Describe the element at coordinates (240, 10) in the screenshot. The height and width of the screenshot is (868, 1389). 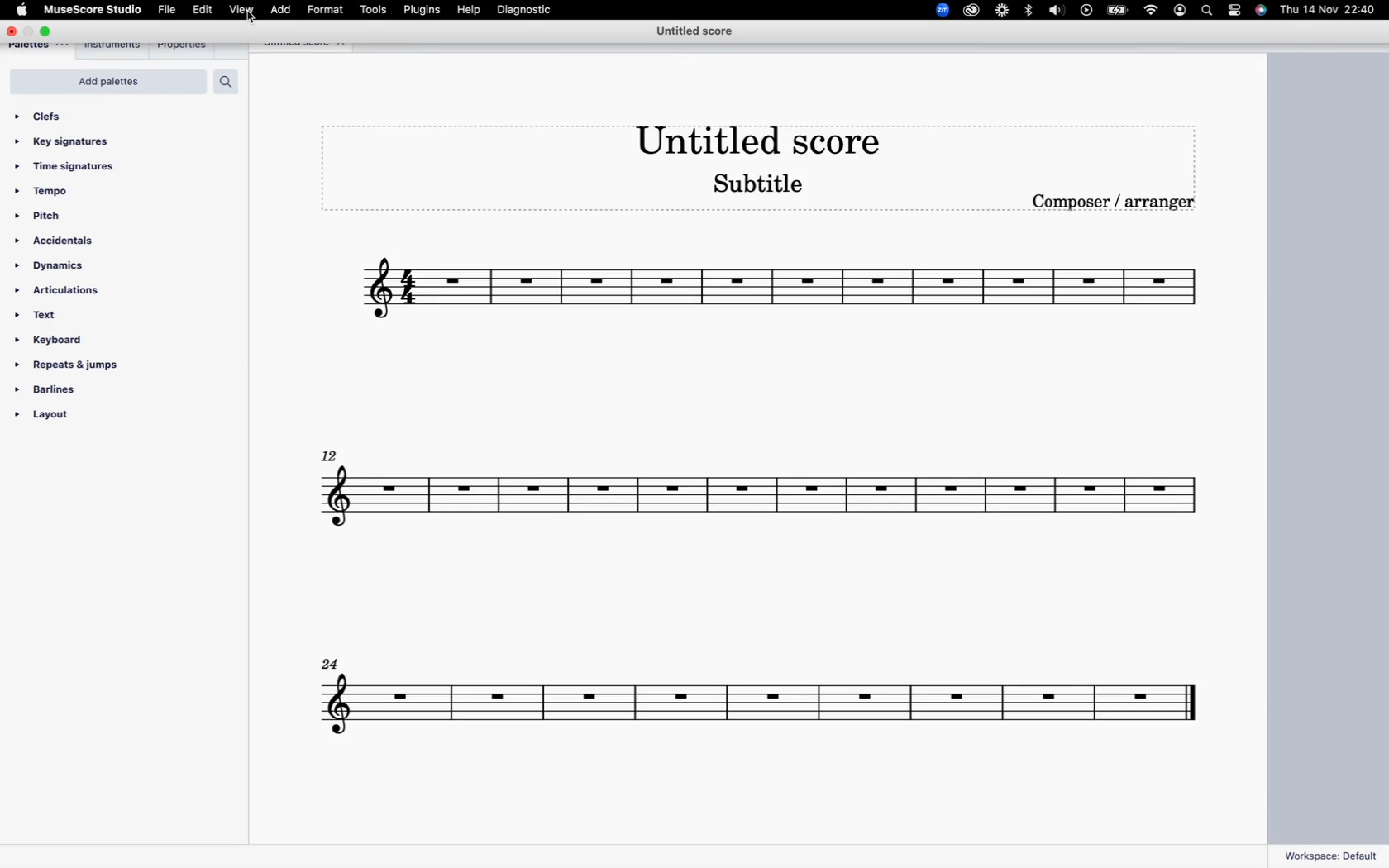
I see `view` at that location.